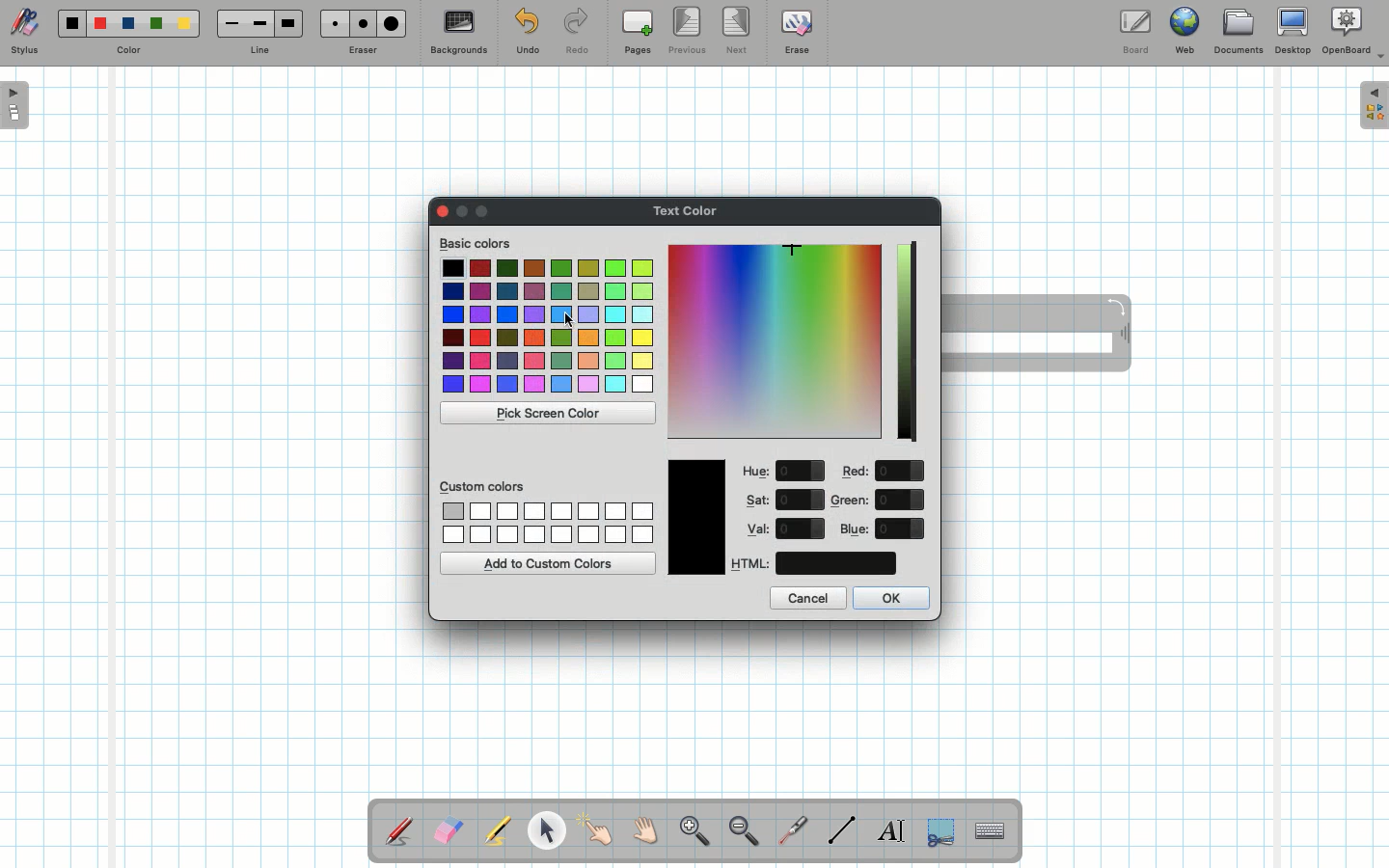  What do you see at coordinates (893, 827) in the screenshot?
I see `Write text` at bounding box center [893, 827].